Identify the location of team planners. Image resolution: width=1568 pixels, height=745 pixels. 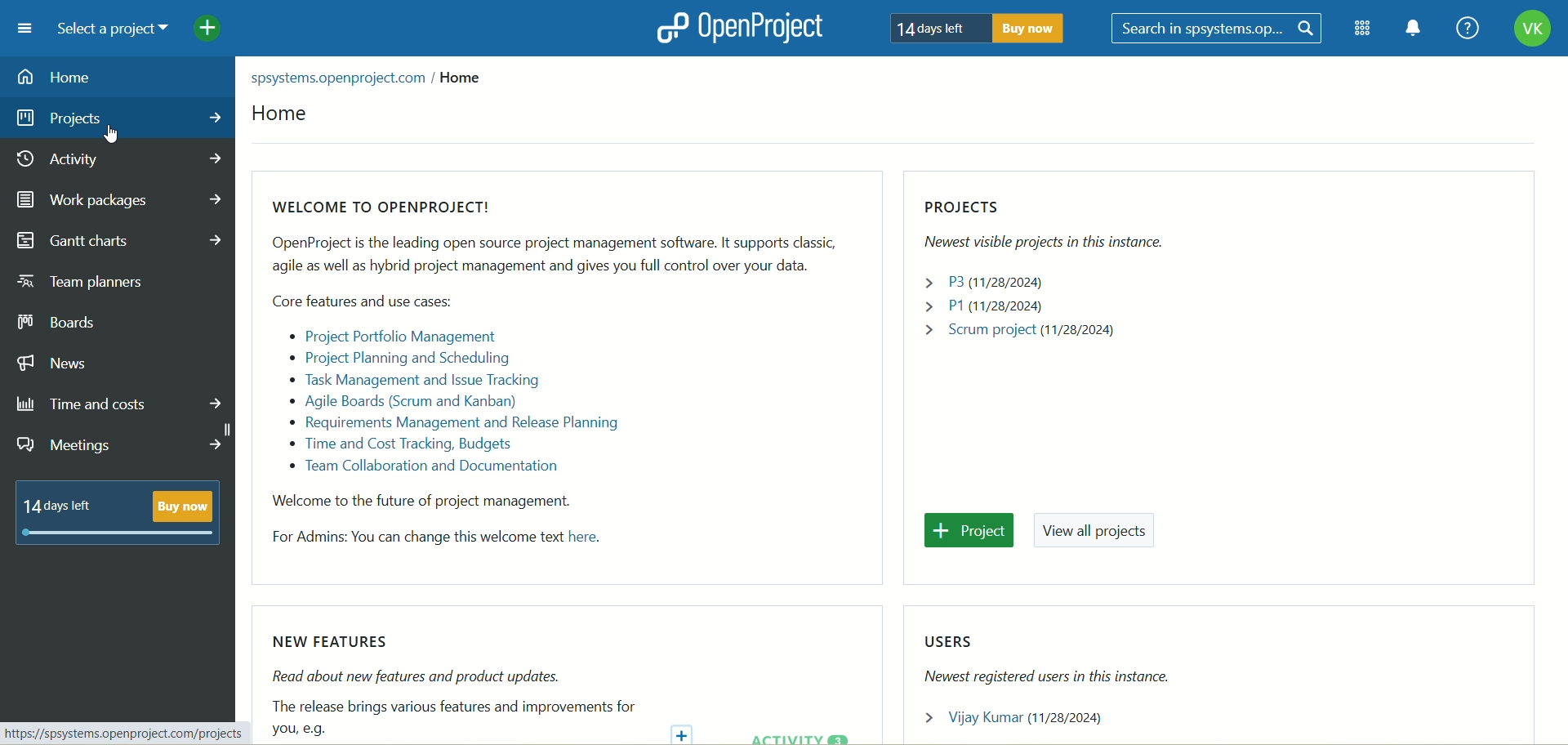
(80, 283).